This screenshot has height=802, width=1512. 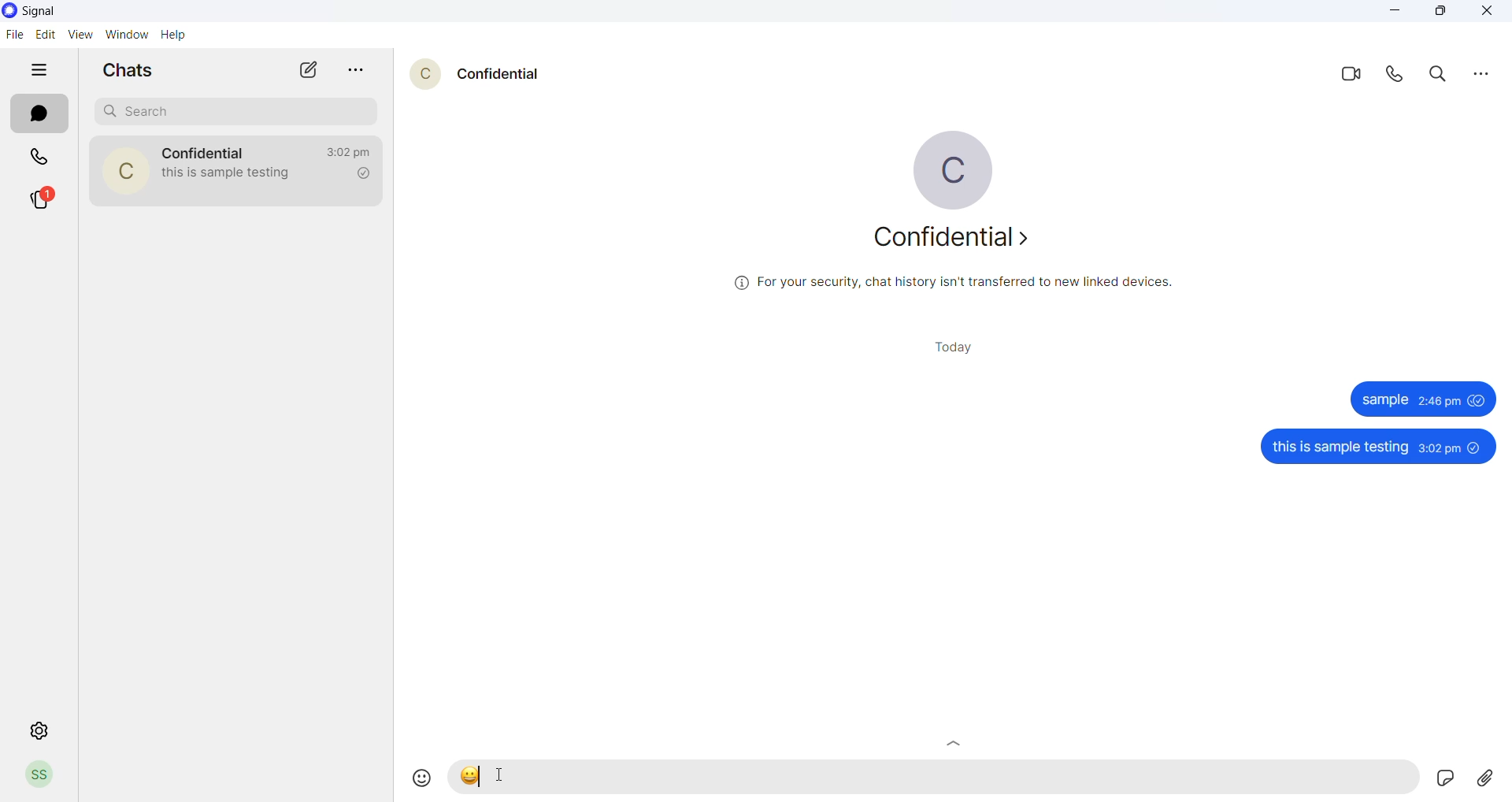 What do you see at coordinates (350, 150) in the screenshot?
I see `last message time` at bounding box center [350, 150].